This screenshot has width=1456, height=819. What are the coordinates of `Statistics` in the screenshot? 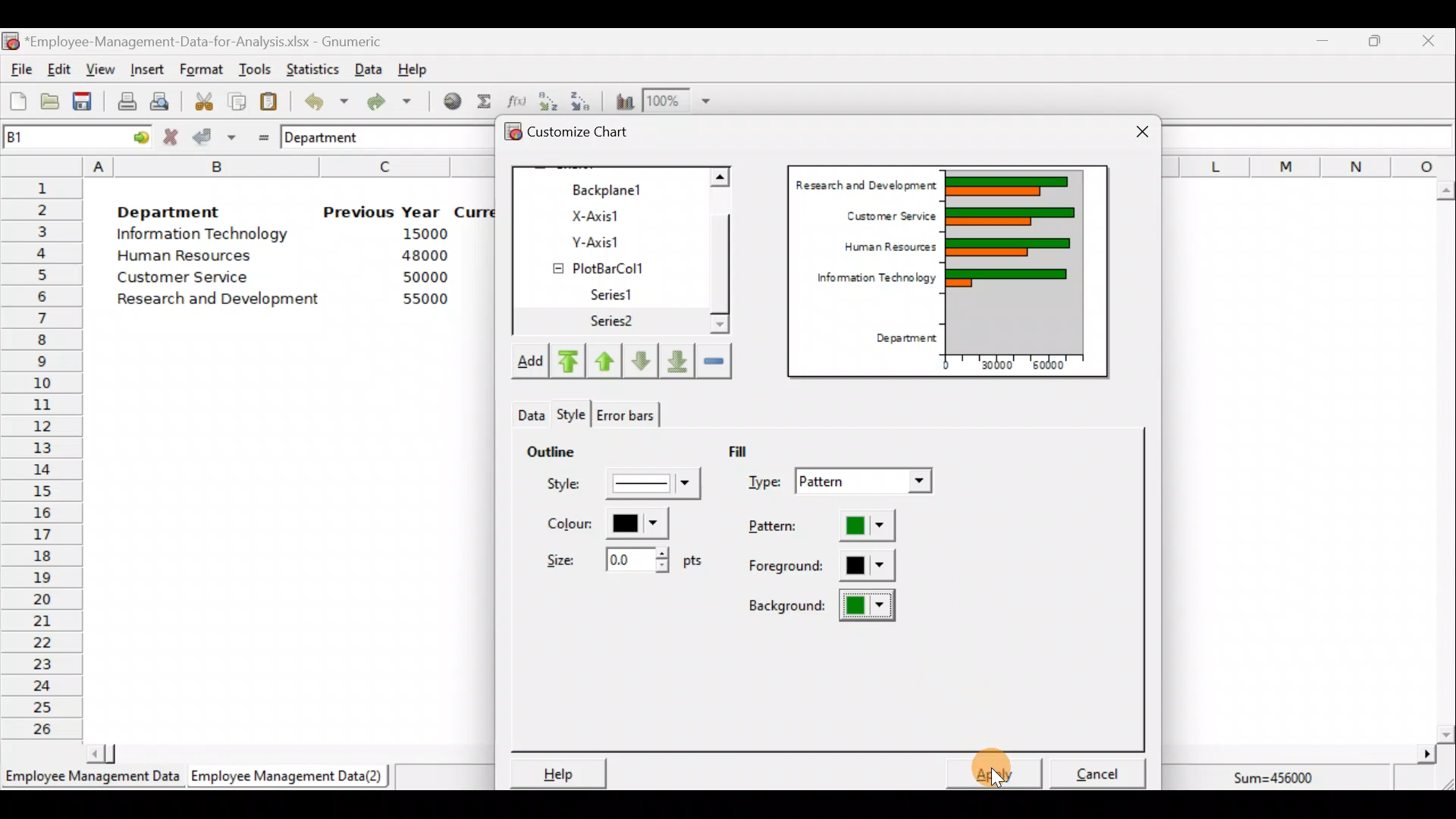 It's located at (309, 67).